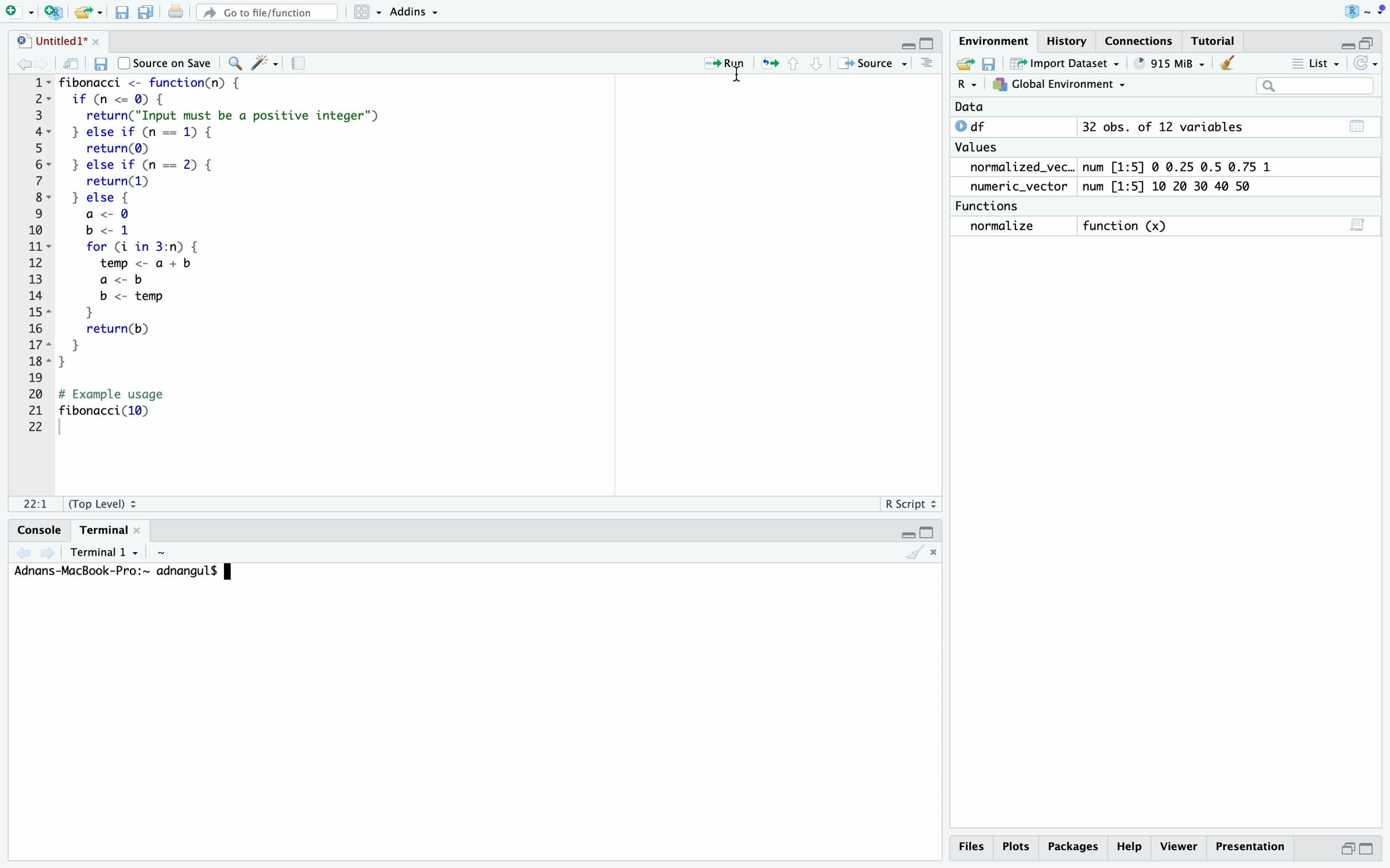 This screenshot has width=1390, height=868. I want to click on maximize, so click(1374, 850).